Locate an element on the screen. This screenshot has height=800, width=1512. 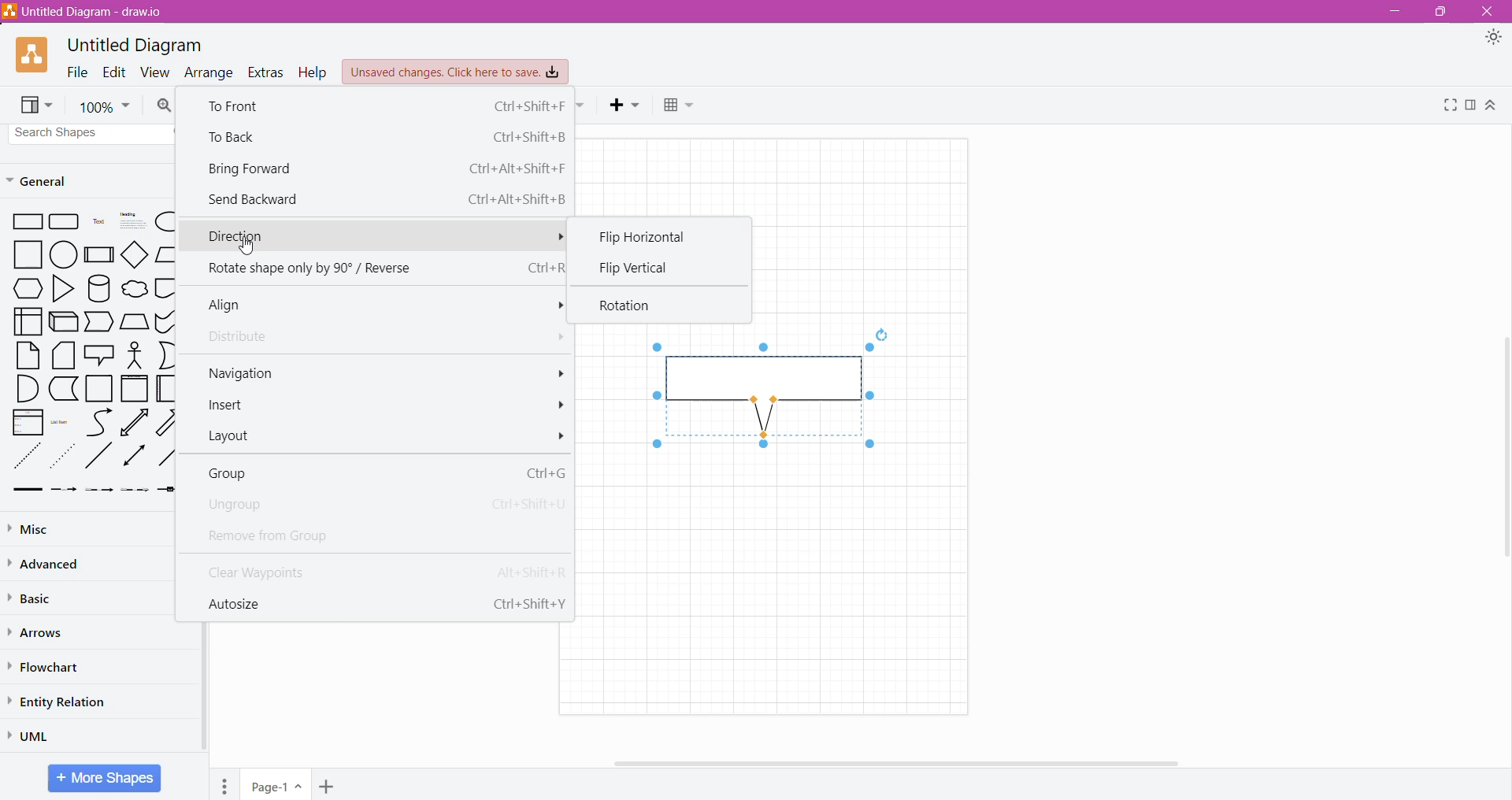
View is located at coordinates (156, 72).